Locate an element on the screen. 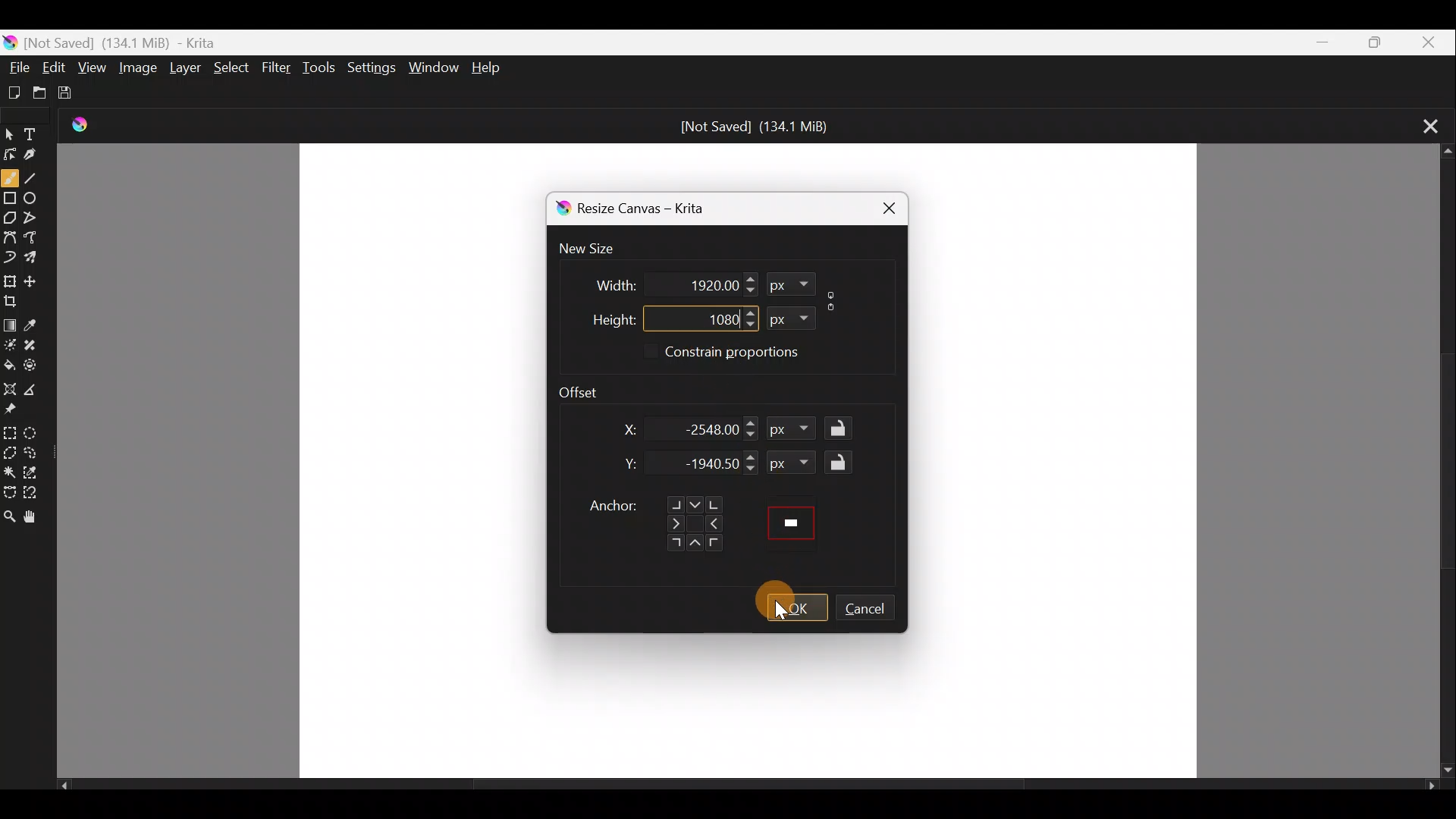  Filter is located at coordinates (278, 72).